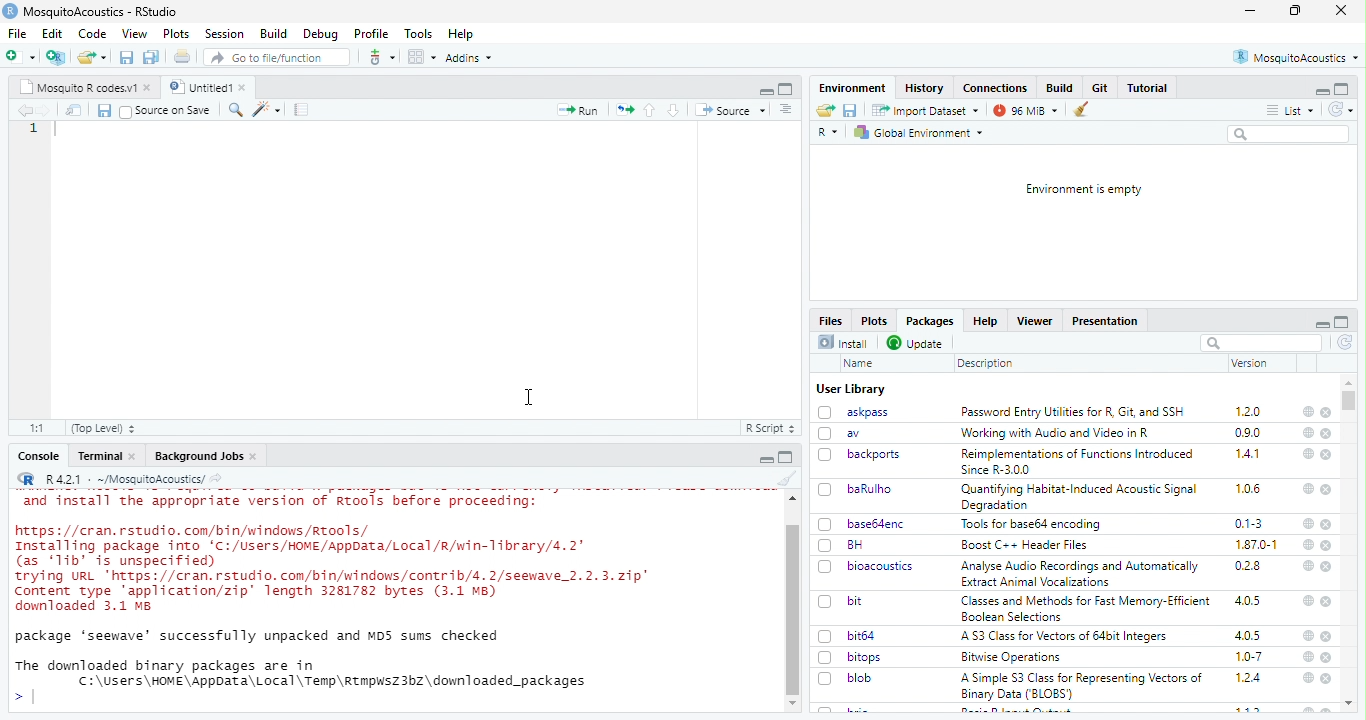 Image resolution: width=1366 pixels, height=720 pixels. What do you see at coordinates (851, 110) in the screenshot?
I see `save` at bounding box center [851, 110].